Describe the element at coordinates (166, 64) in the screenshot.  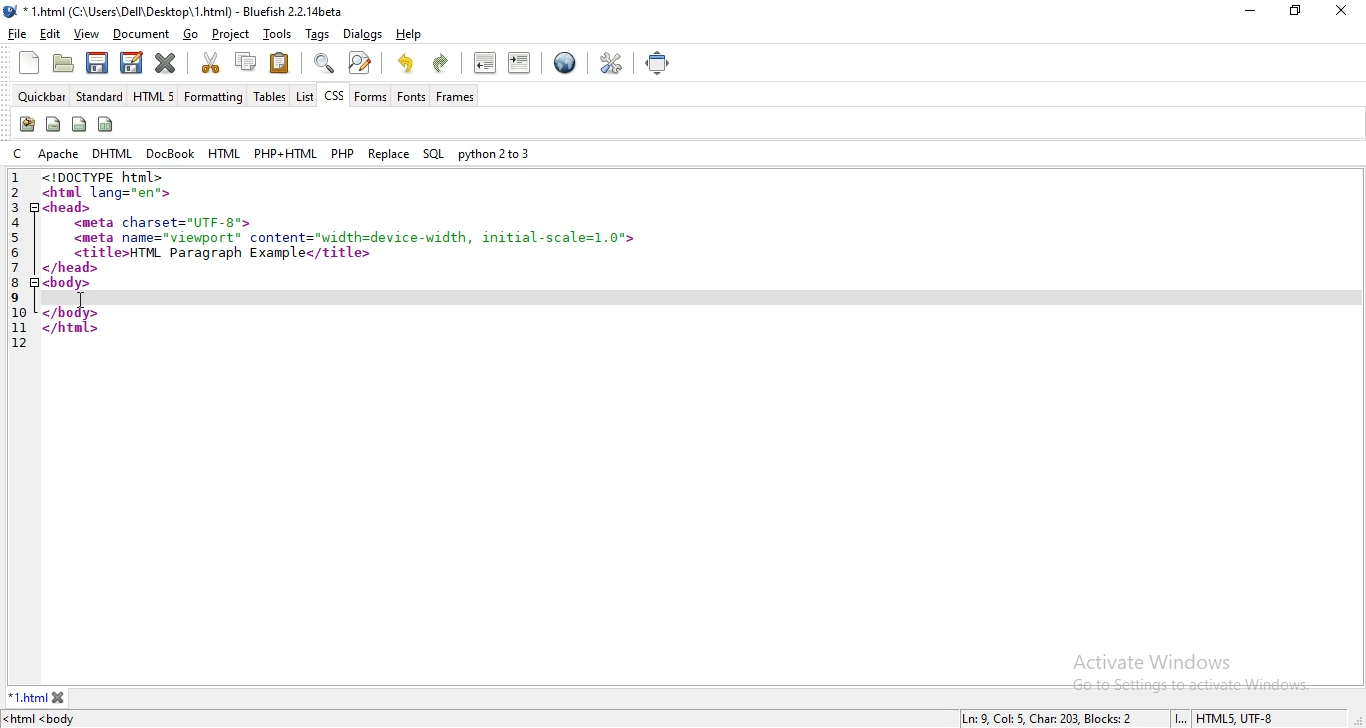
I see `close current file` at that location.